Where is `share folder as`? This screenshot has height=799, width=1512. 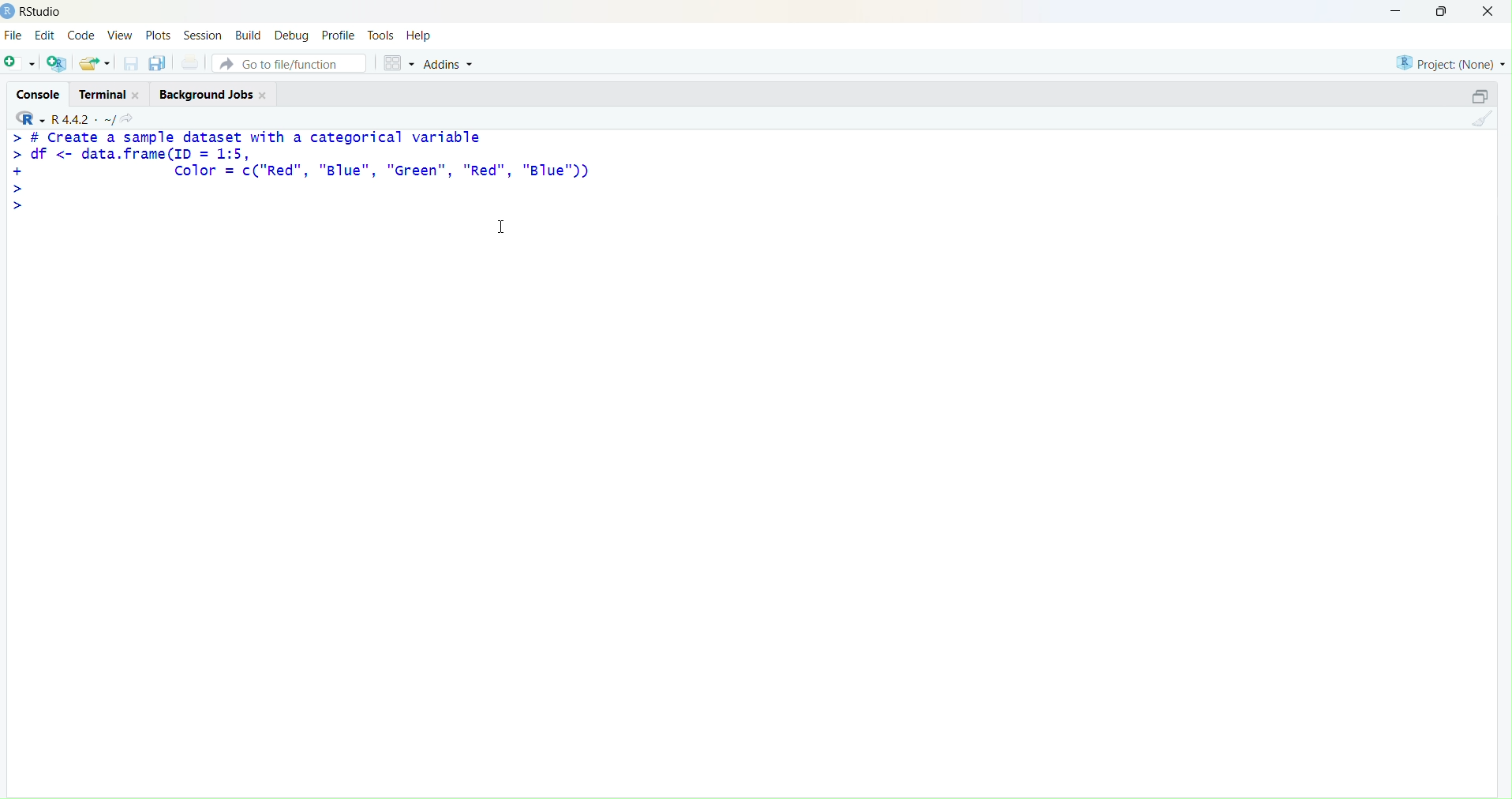 share folder as is located at coordinates (95, 63).